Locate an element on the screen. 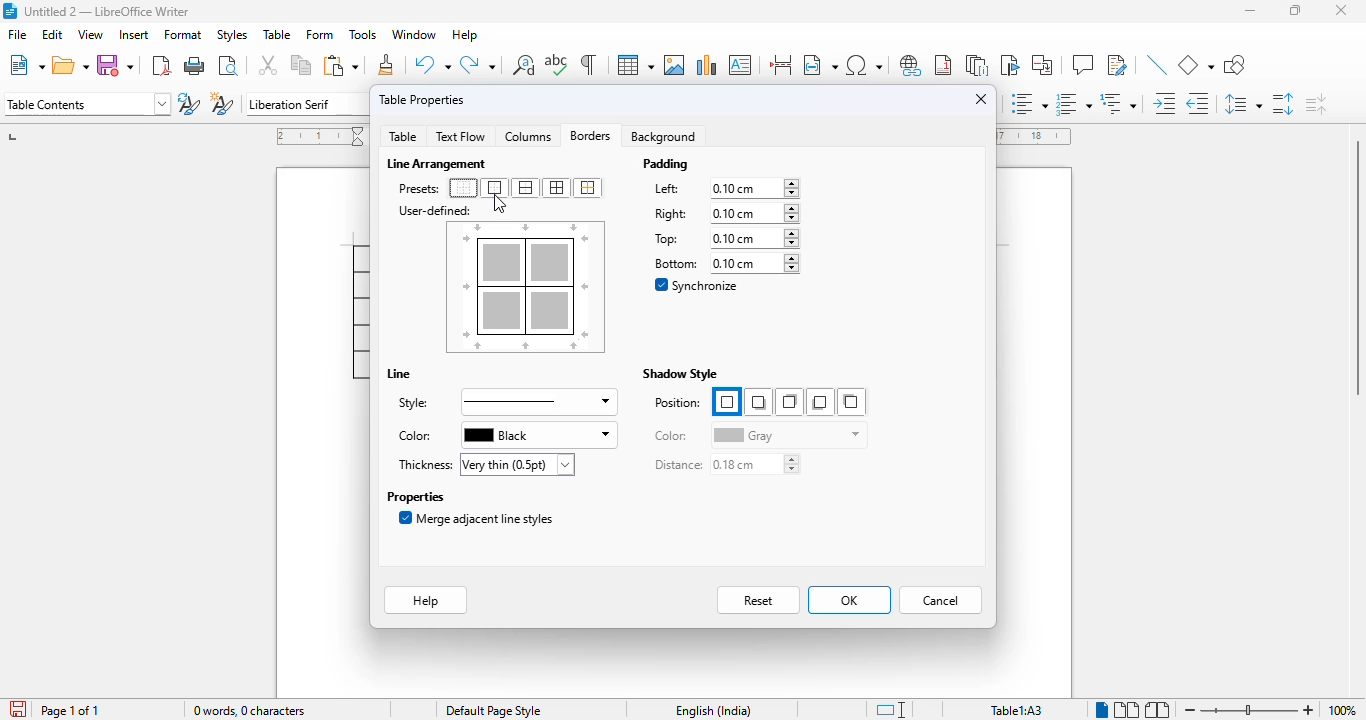 The image size is (1366, 720). preview box is located at coordinates (527, 287).